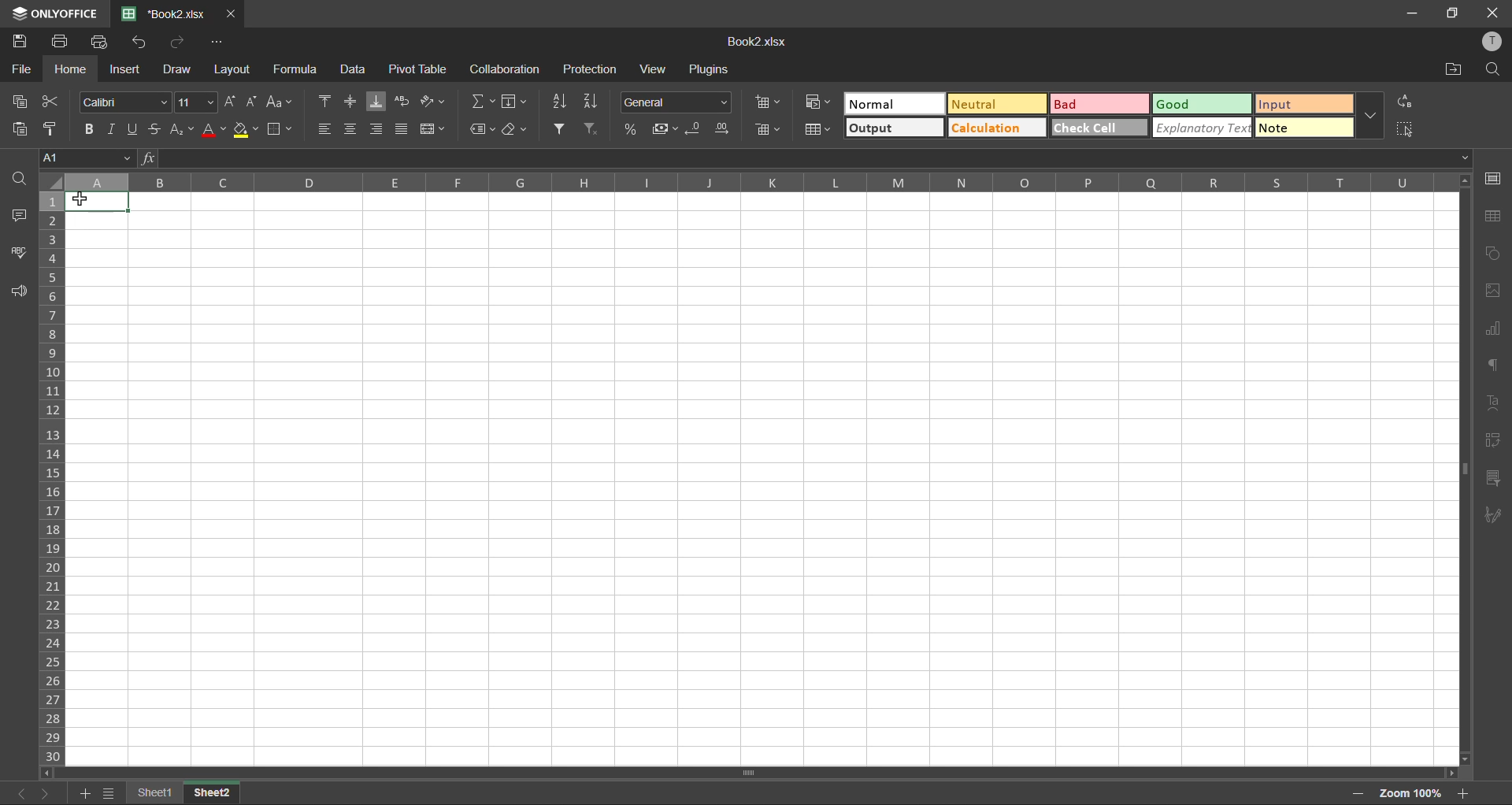  What do you see at coordinates (235, 69) in the screenshot?
I see `layout` at bounding box center [235, 69].